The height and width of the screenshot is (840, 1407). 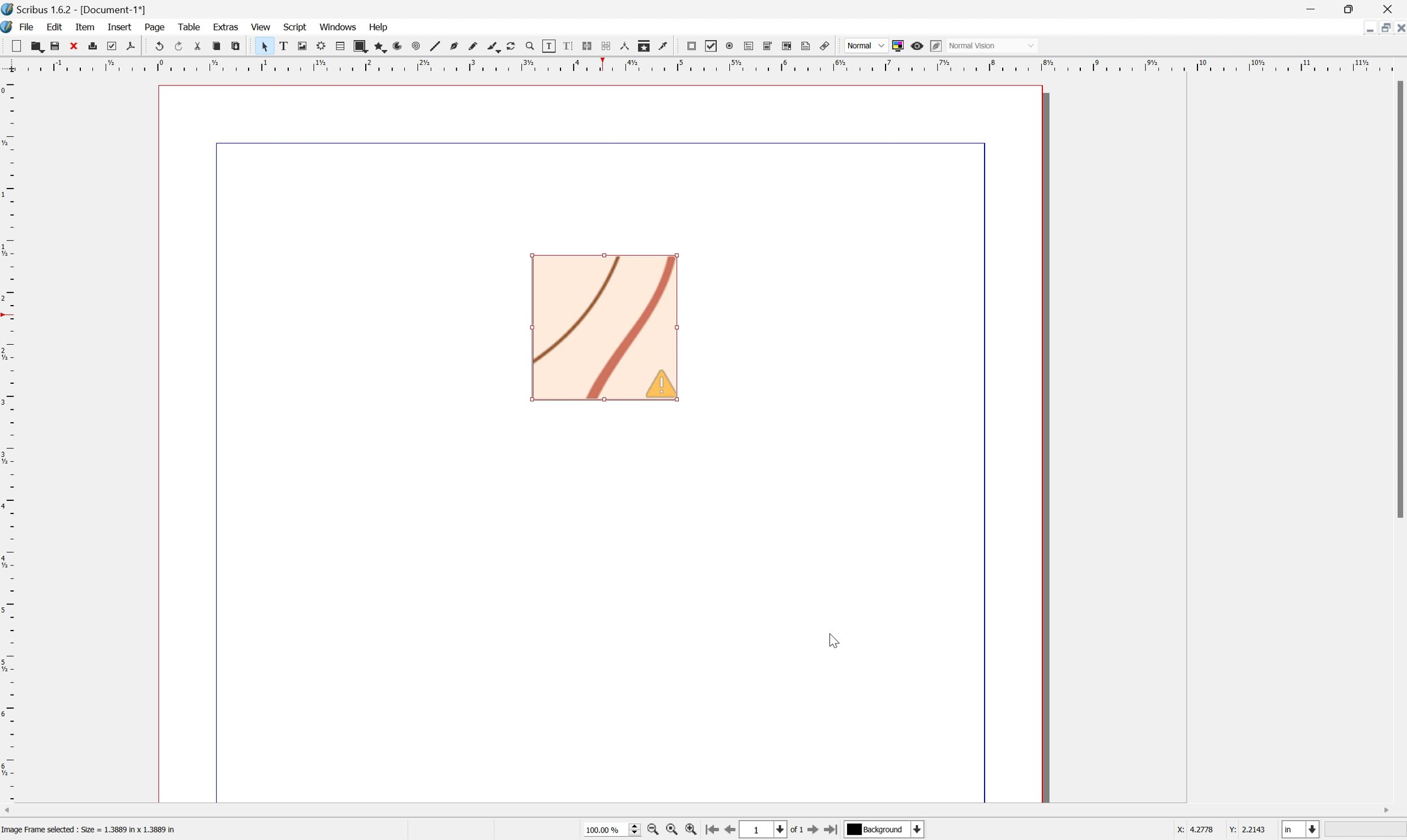 I want to click on 1 of 1, so click(x=775, y=829).